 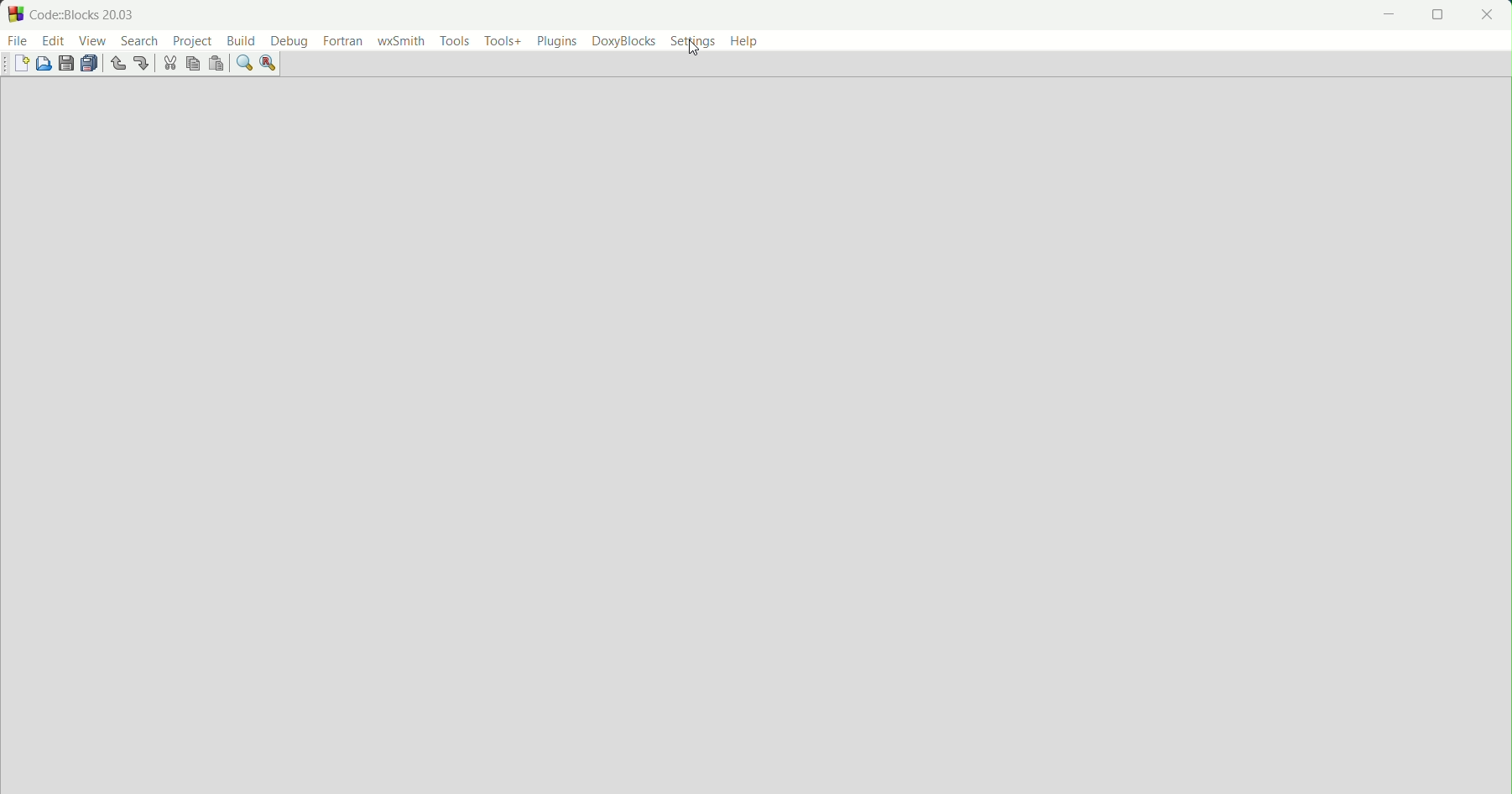 I want to click on save, so click(x=66, y=62).